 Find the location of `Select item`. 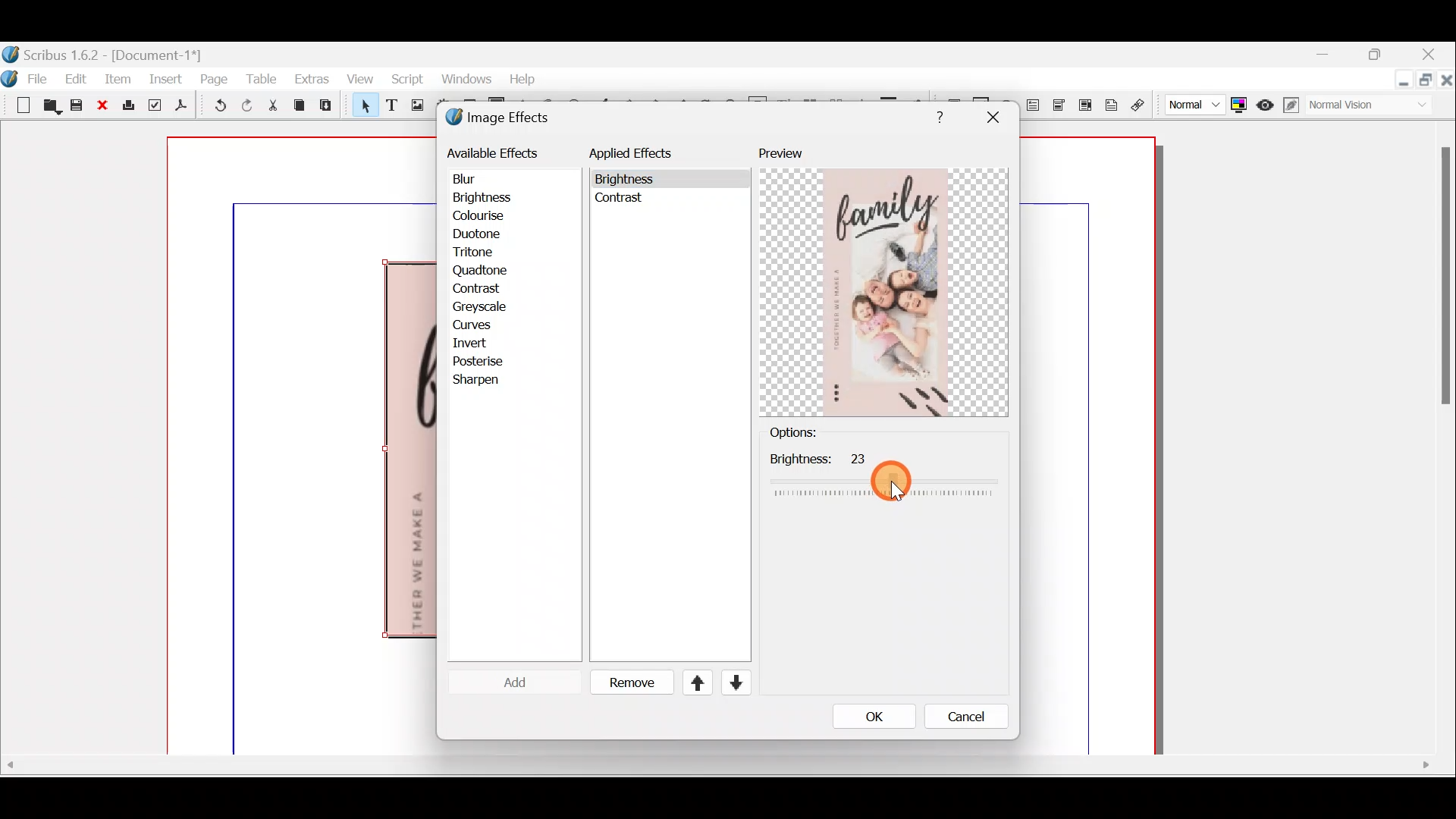

Select item is located at coordinates (362, 108).